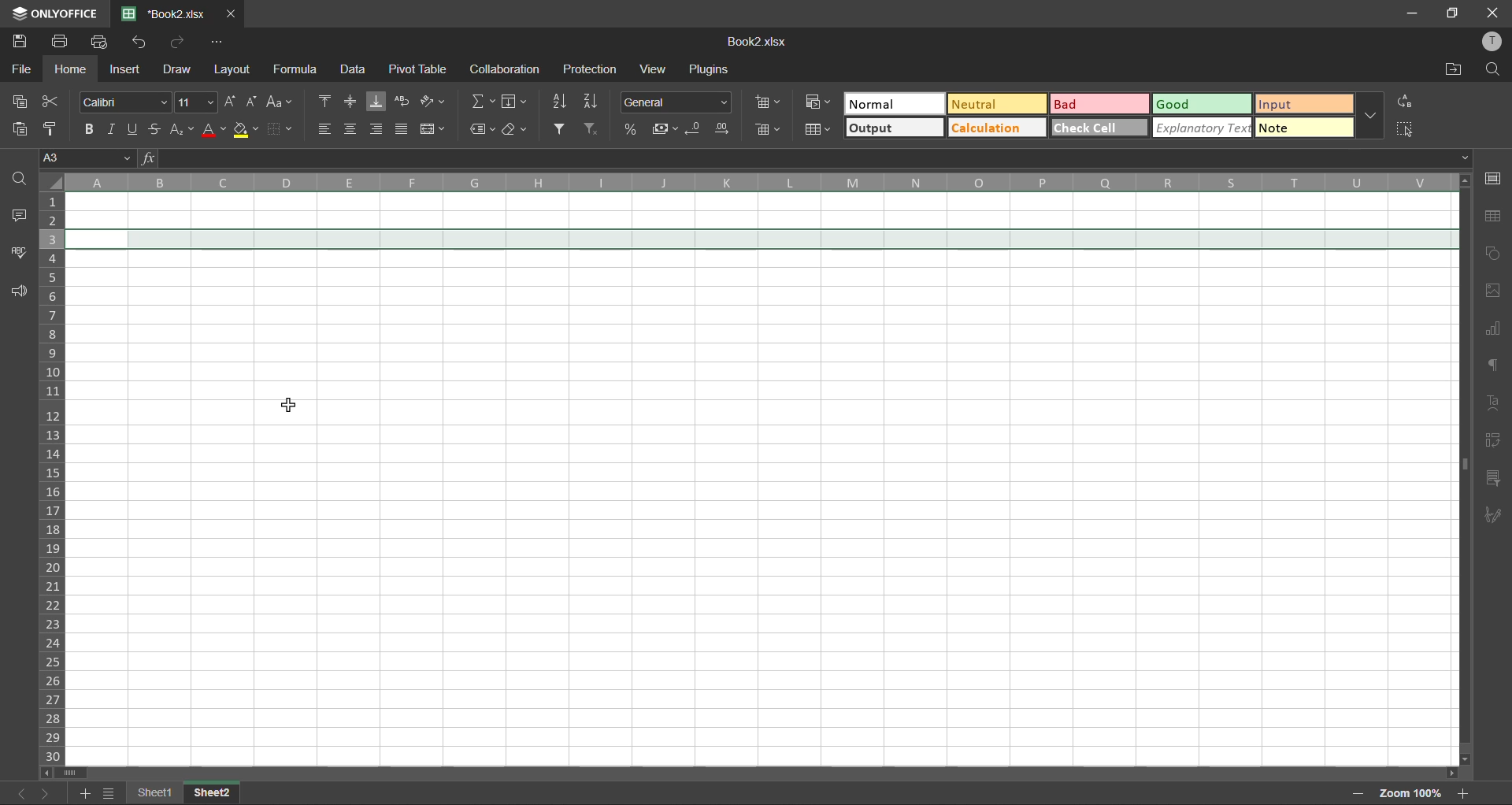 This screenshot has height=805, width=1512. What do you see at coordinates (90, 159) in the screenshot?
I see `cell address` at bounding box center [90, 159].